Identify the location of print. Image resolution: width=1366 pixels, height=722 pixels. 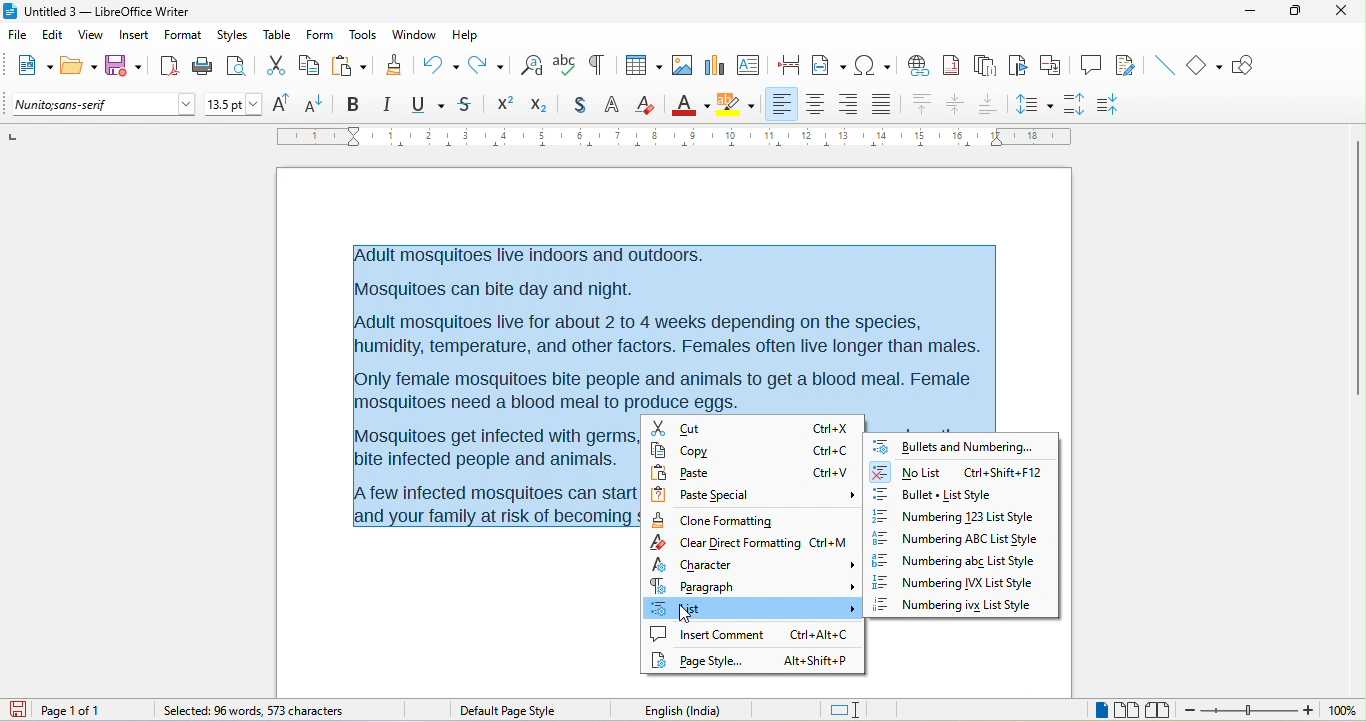
(202, 69).